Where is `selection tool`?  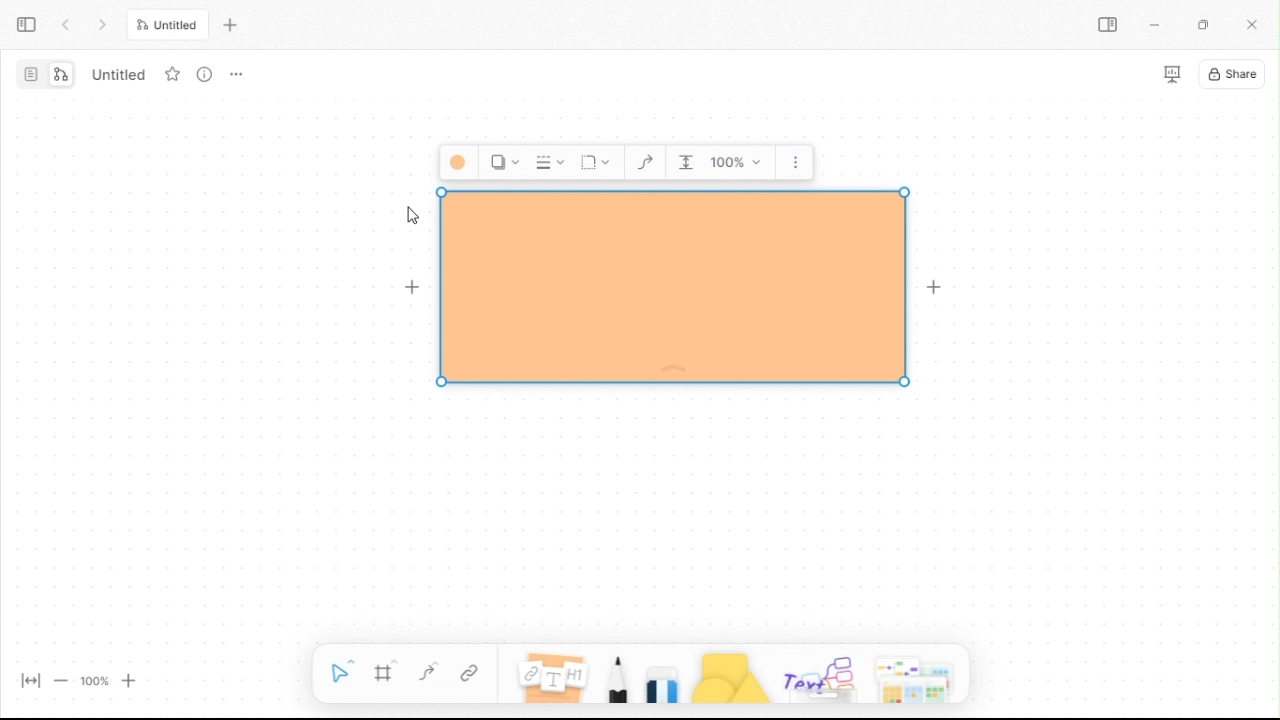
selection tool is located at coordinates (339, 675).